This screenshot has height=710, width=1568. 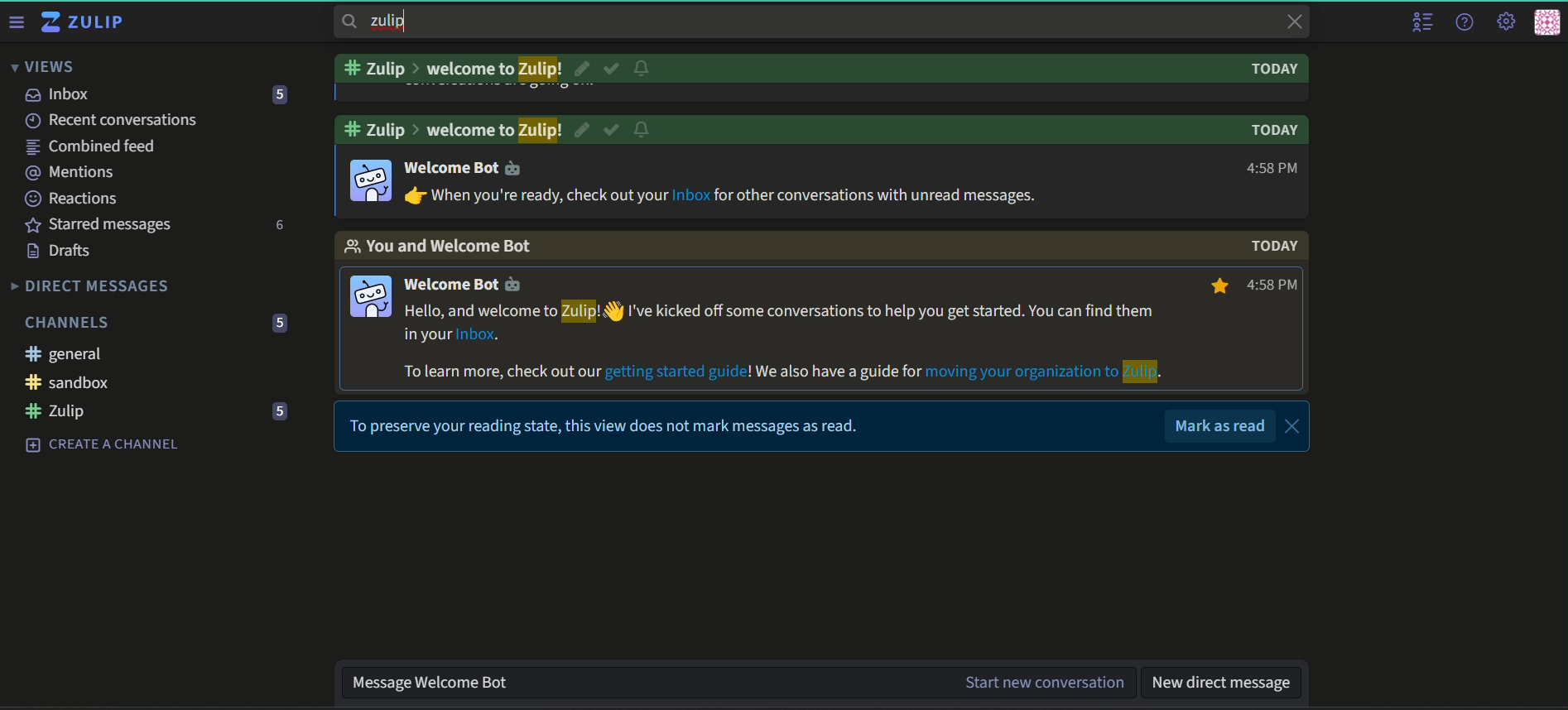 What do you see at coordinates (1292, 22) in the screenshot?
I see `close` at bounding box center [1292, 22].